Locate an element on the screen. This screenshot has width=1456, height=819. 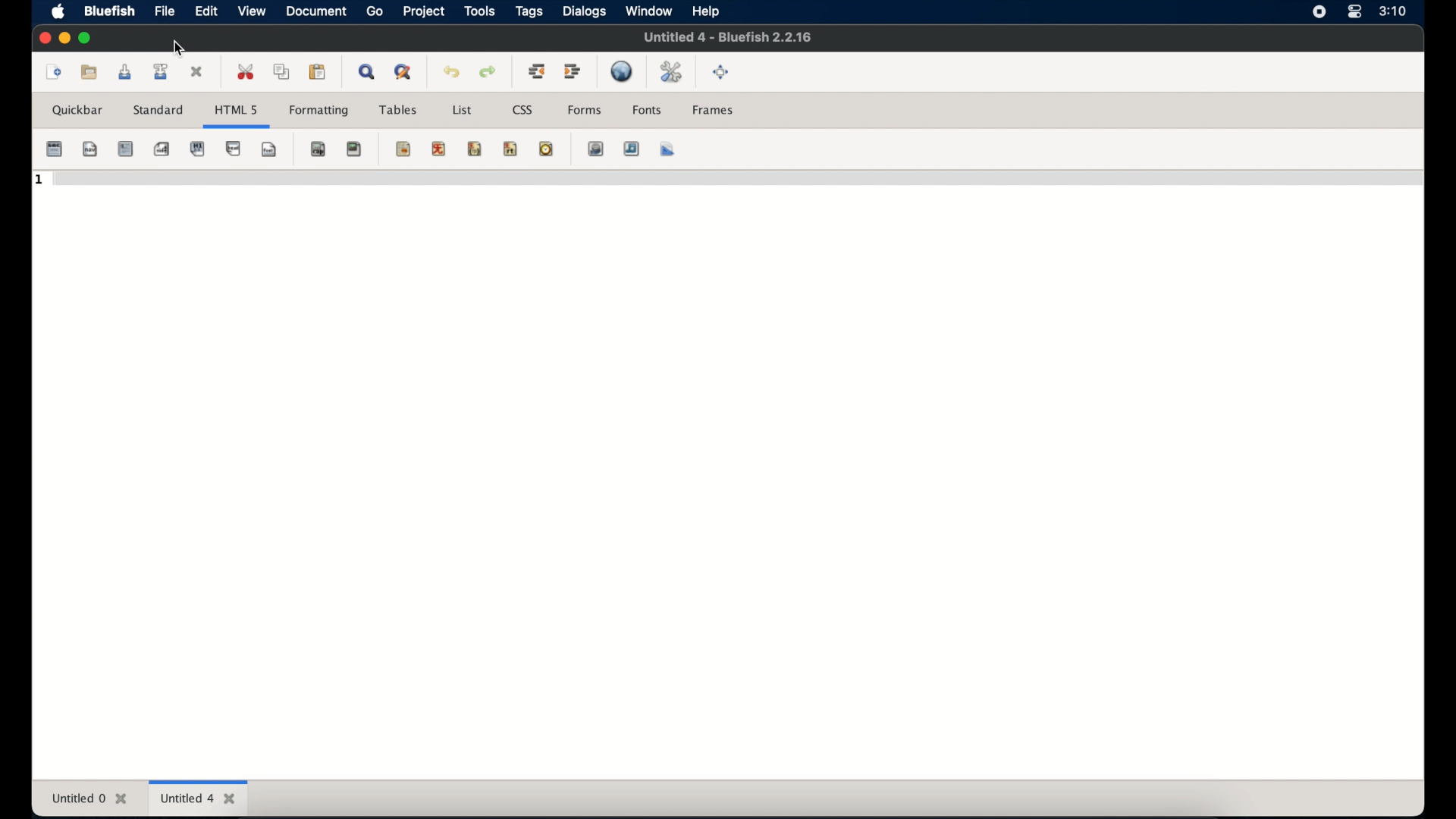
strong is located at coordinates (125, 149).